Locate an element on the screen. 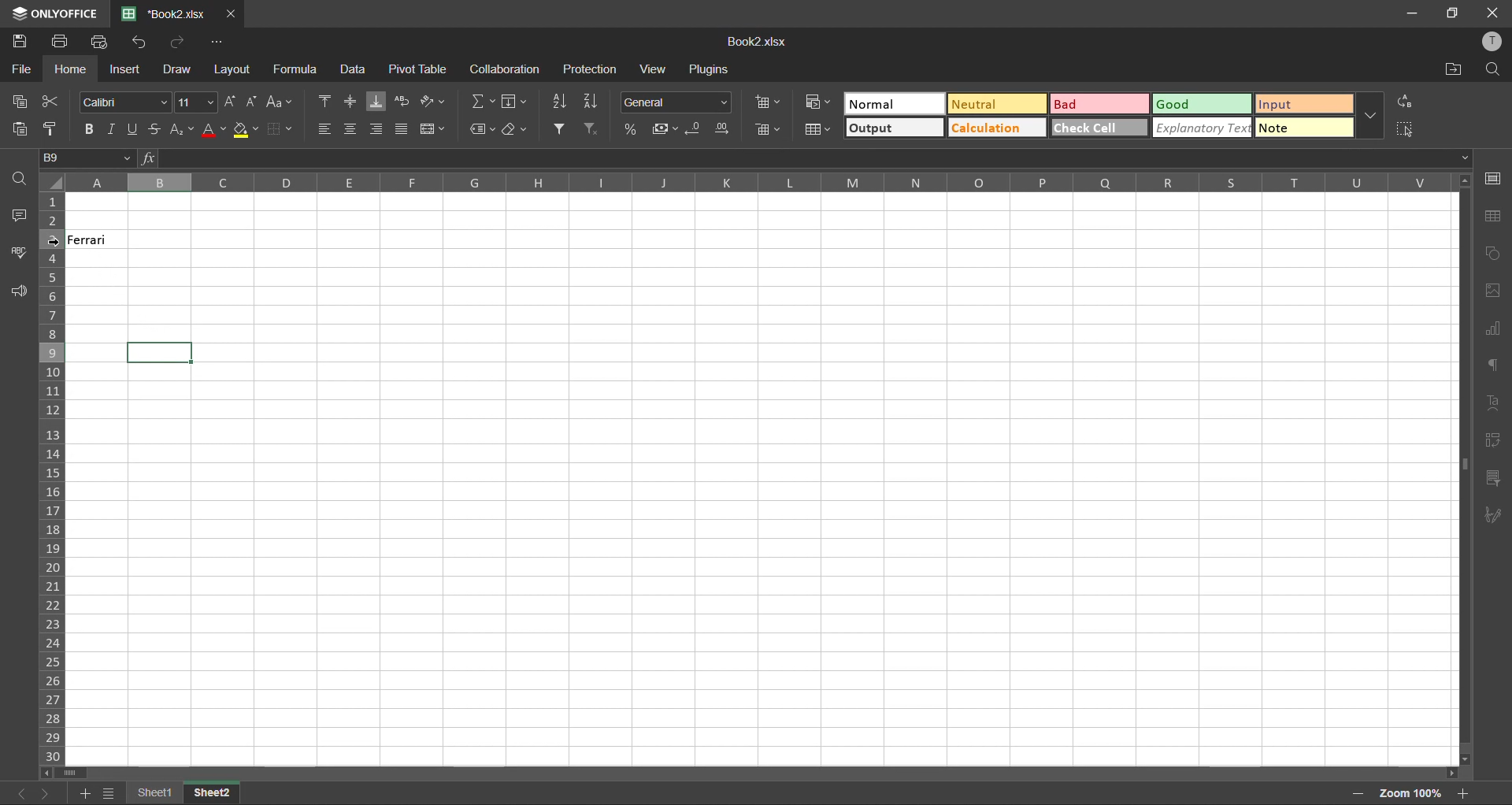 The image size is (1512, 805). shapes is located at coordinates (1497, 256).